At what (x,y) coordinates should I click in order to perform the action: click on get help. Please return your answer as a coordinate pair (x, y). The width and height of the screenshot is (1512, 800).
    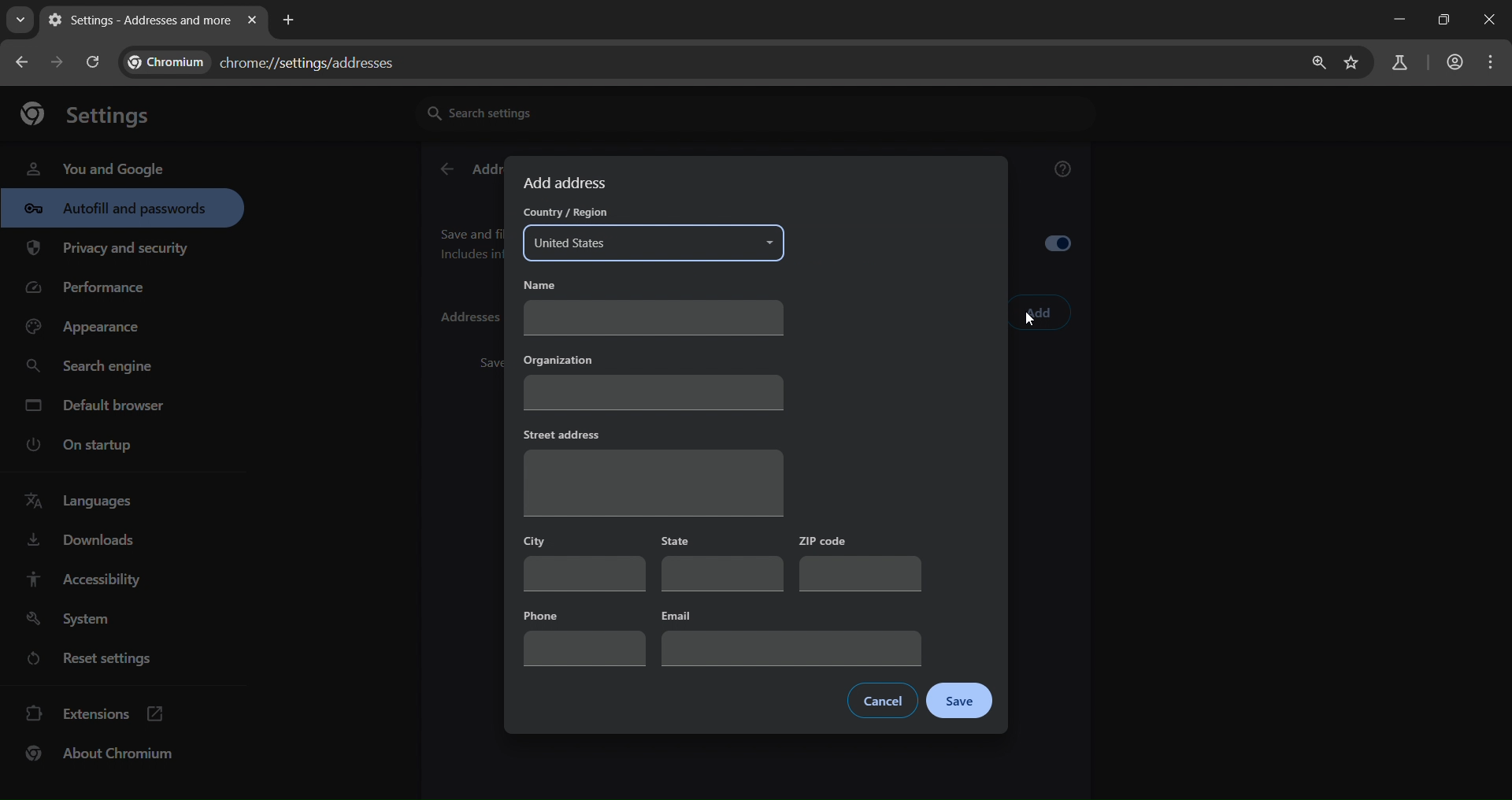
    Looking at the image, I should click on (1064, 172).